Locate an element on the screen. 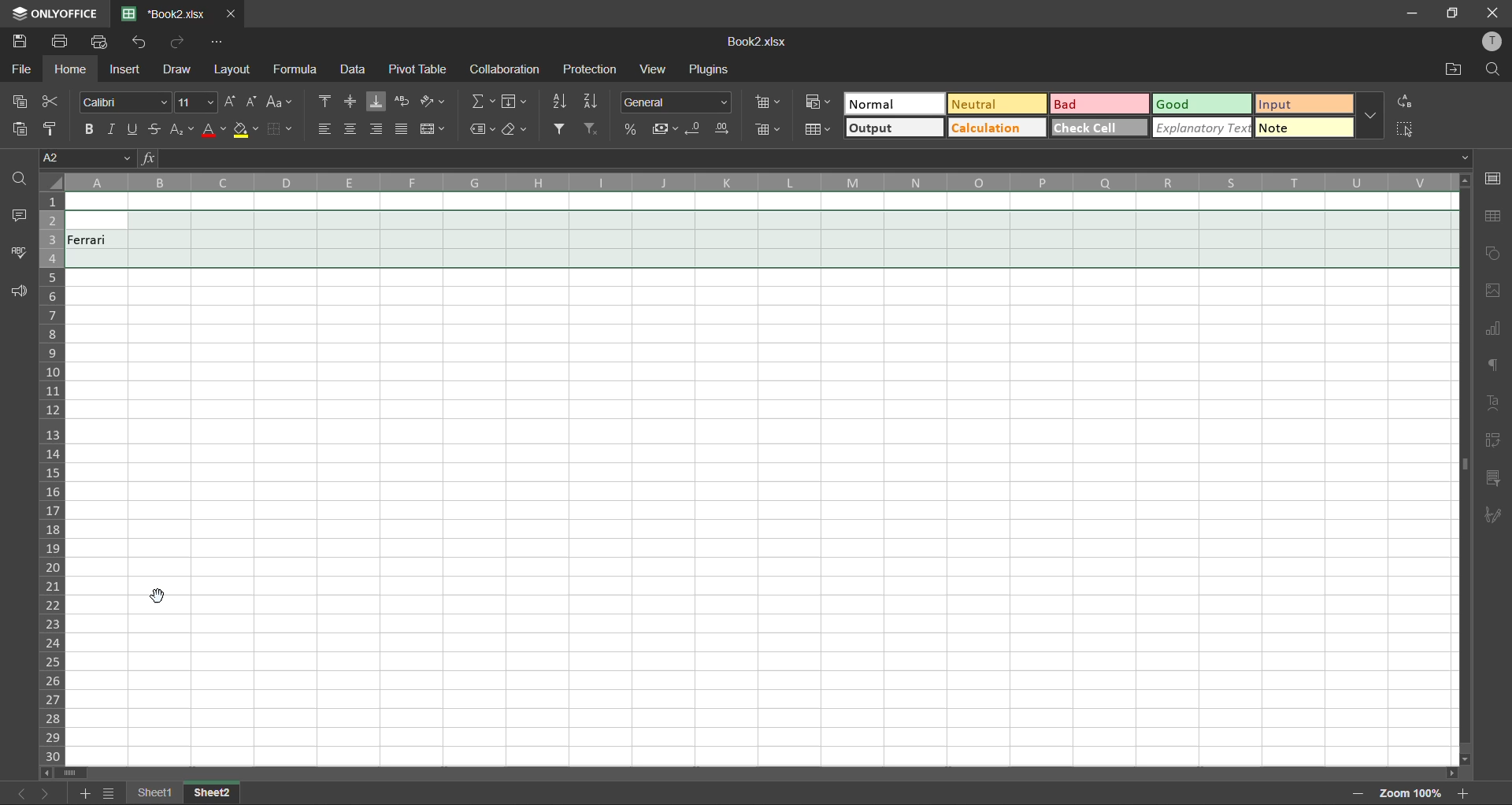 The width and height of the screenshot is (1512, 805). cursor is located at coordinates (160, 595).